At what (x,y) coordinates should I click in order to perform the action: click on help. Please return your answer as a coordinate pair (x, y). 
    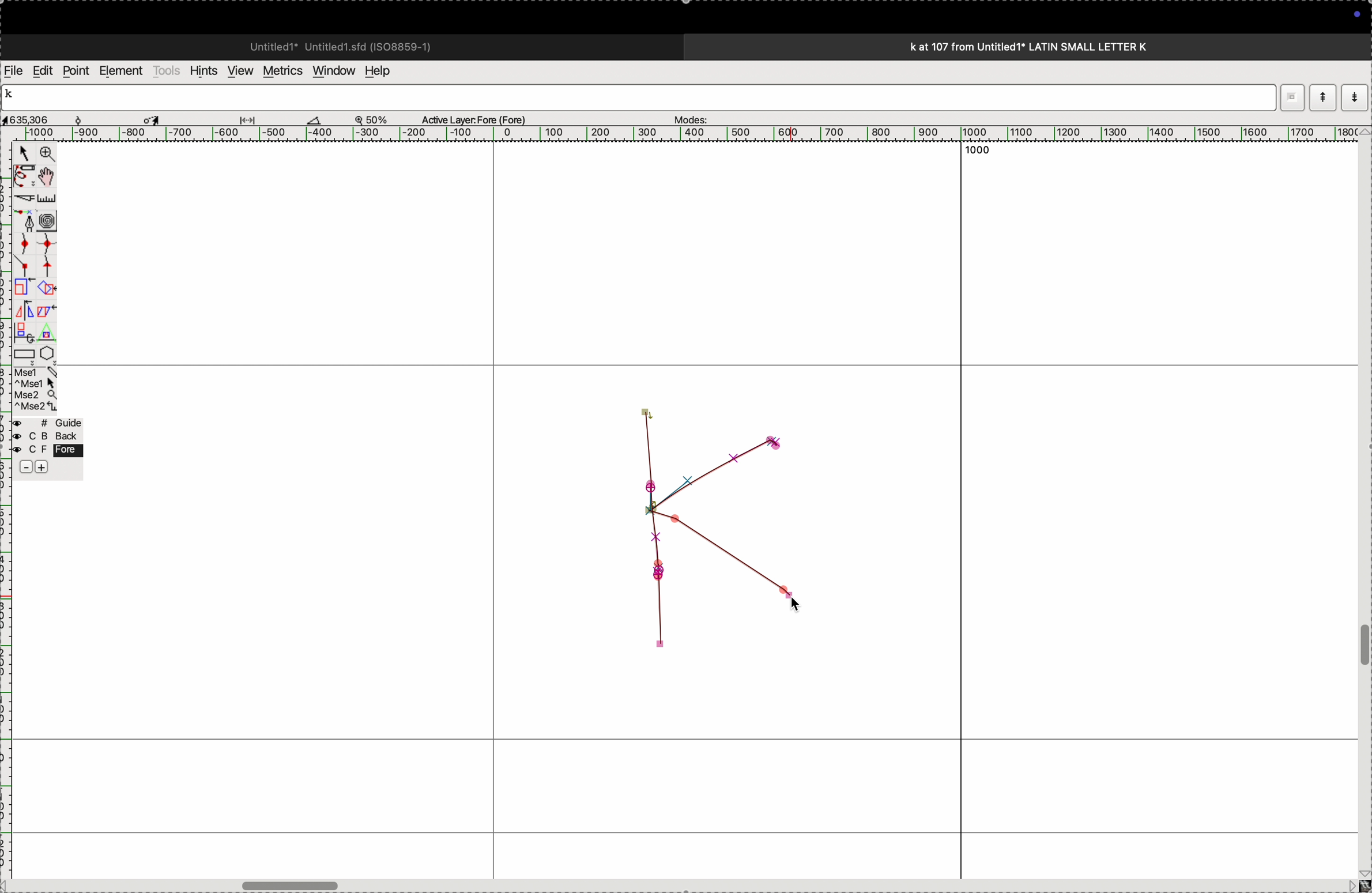
    Looking at the image, I should click on (385, 71).